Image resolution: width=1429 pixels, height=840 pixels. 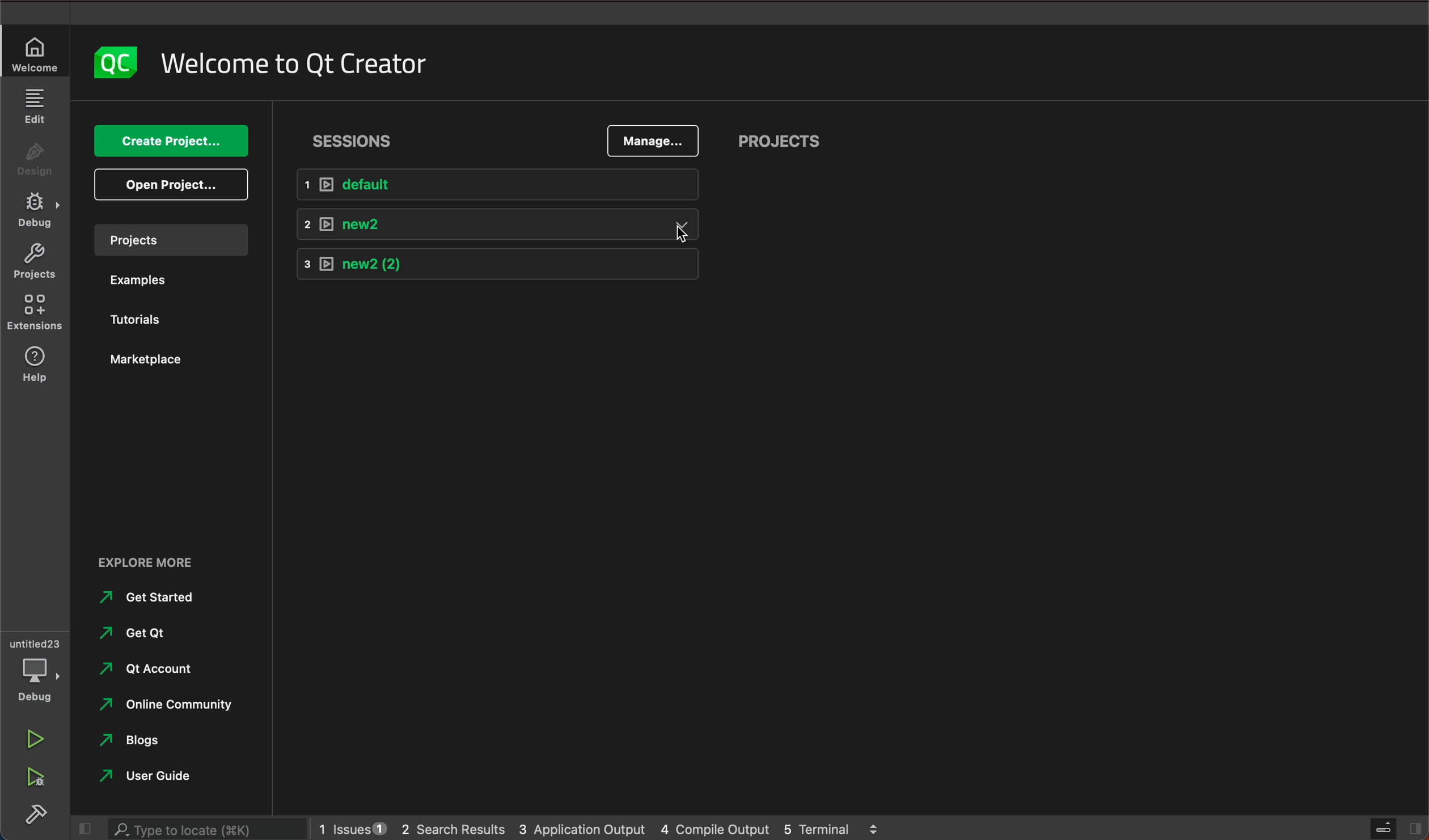 What do you see at coordinates (172, 140) in the screenshot?
I see `create` at bounding box center [172, 140].